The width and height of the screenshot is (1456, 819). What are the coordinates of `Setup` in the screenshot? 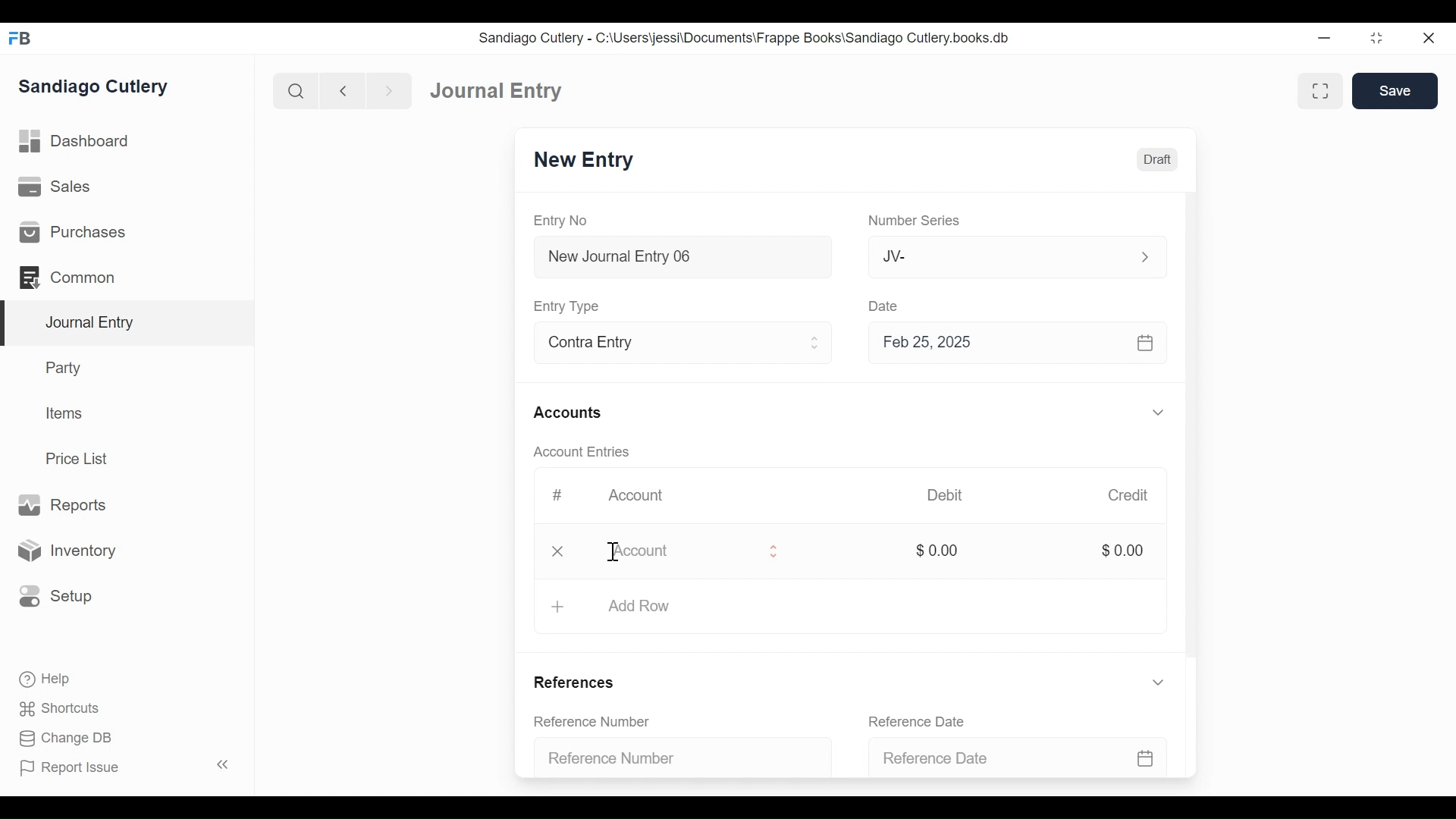 It's located at (52, 595).